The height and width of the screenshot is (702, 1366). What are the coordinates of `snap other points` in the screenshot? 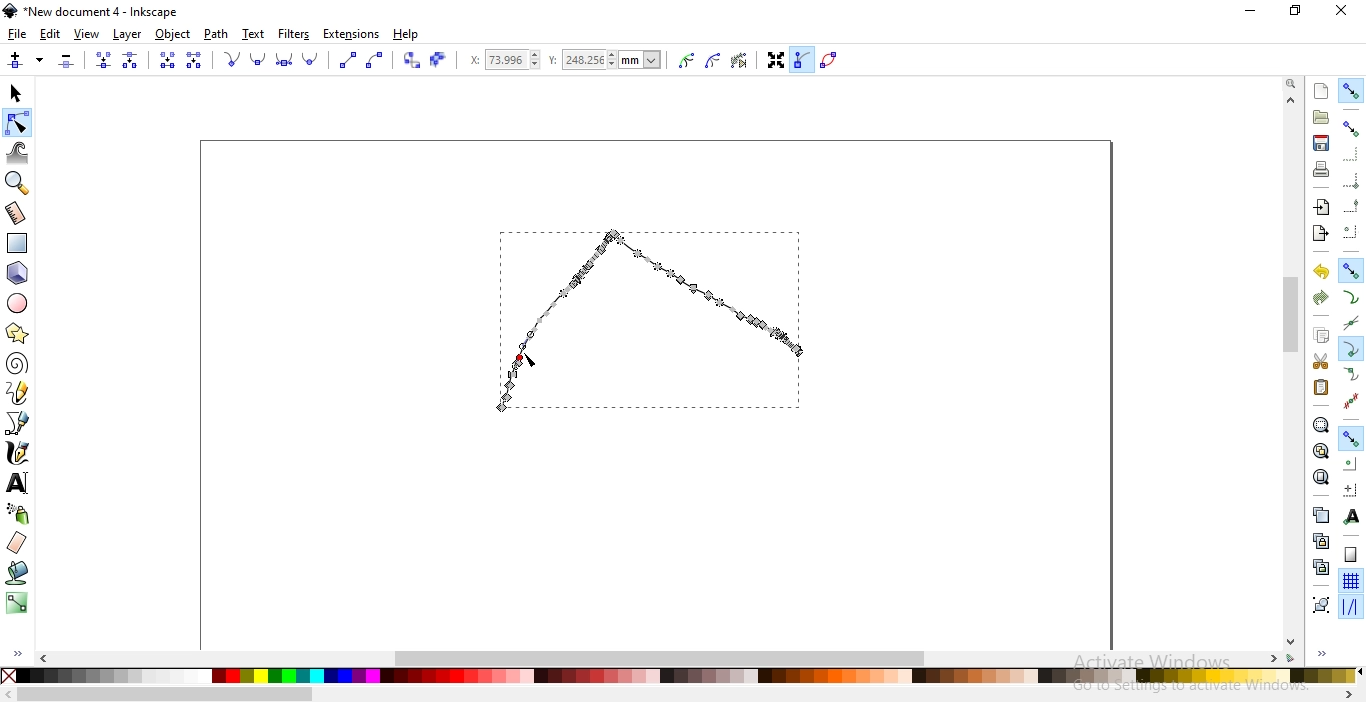 It's located at (1351, 437).